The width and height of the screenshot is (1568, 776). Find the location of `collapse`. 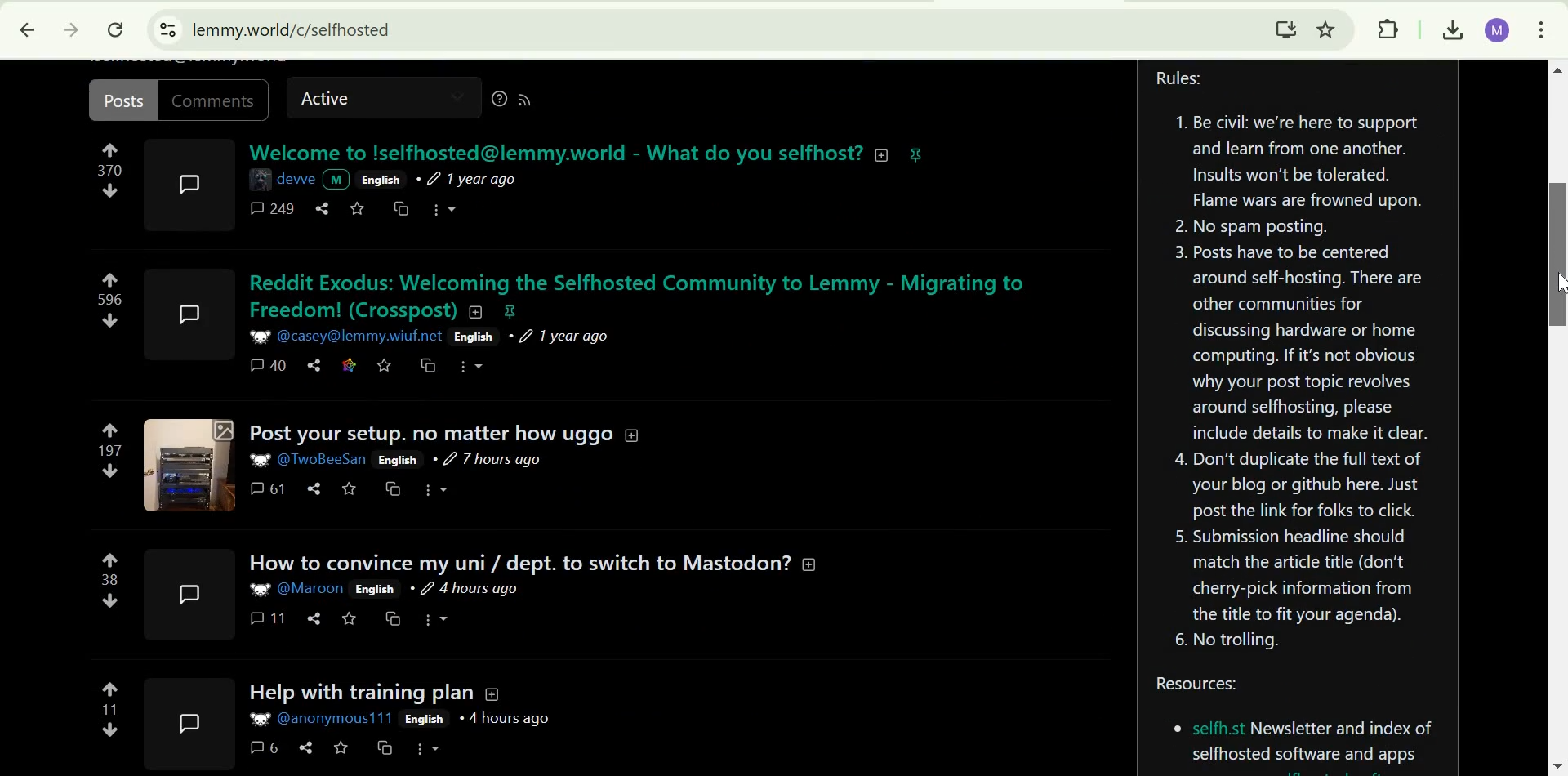

collapse is located at coordinates (812, 562).